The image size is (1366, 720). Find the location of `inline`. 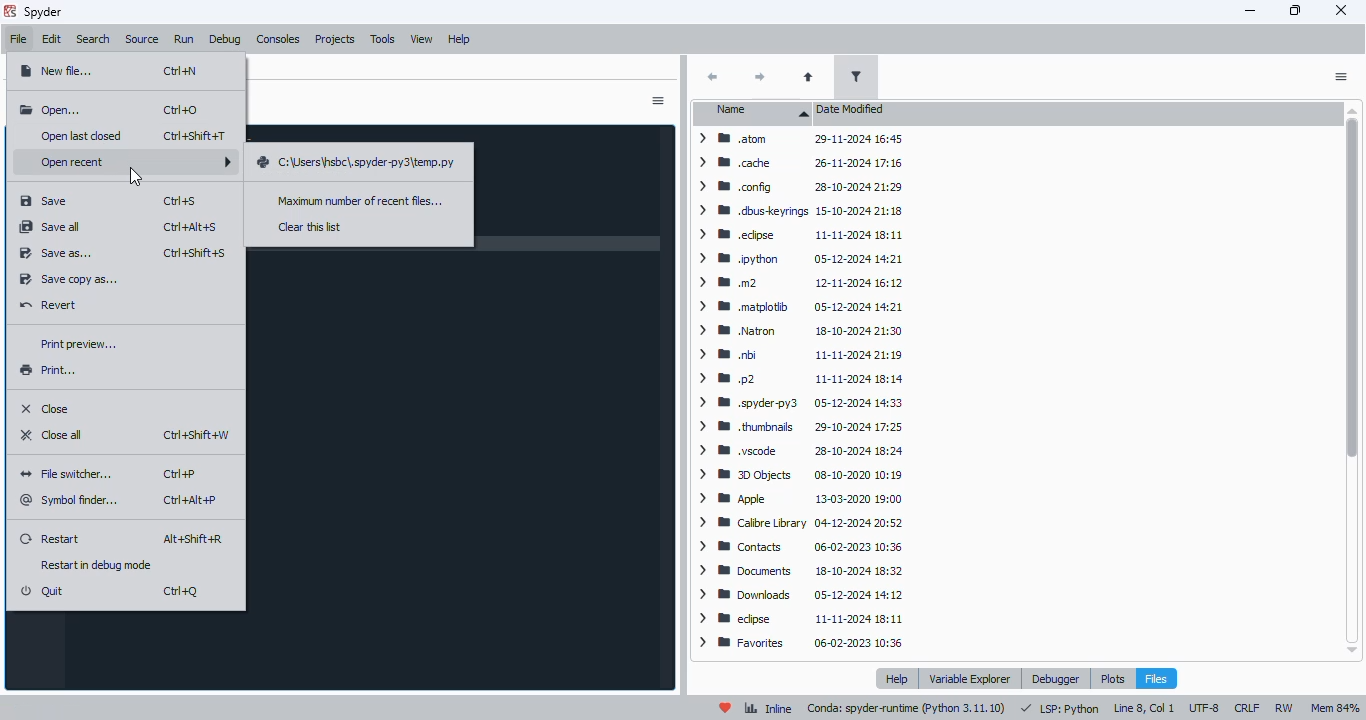

inline is located at coordinates (768, 707).